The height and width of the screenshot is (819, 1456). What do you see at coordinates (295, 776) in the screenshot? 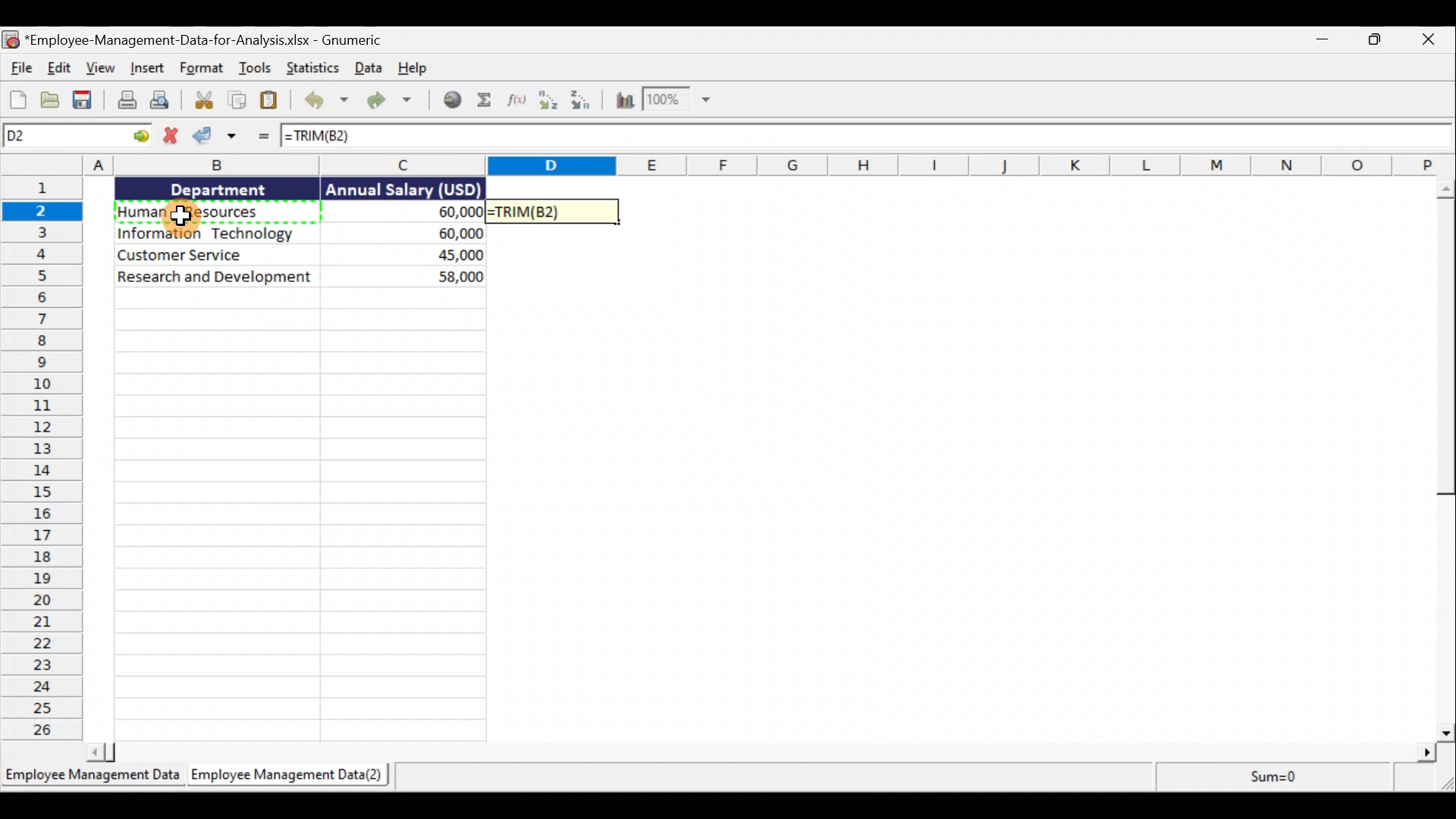
I see `Sheet 2` at bounding box center [295, 776].